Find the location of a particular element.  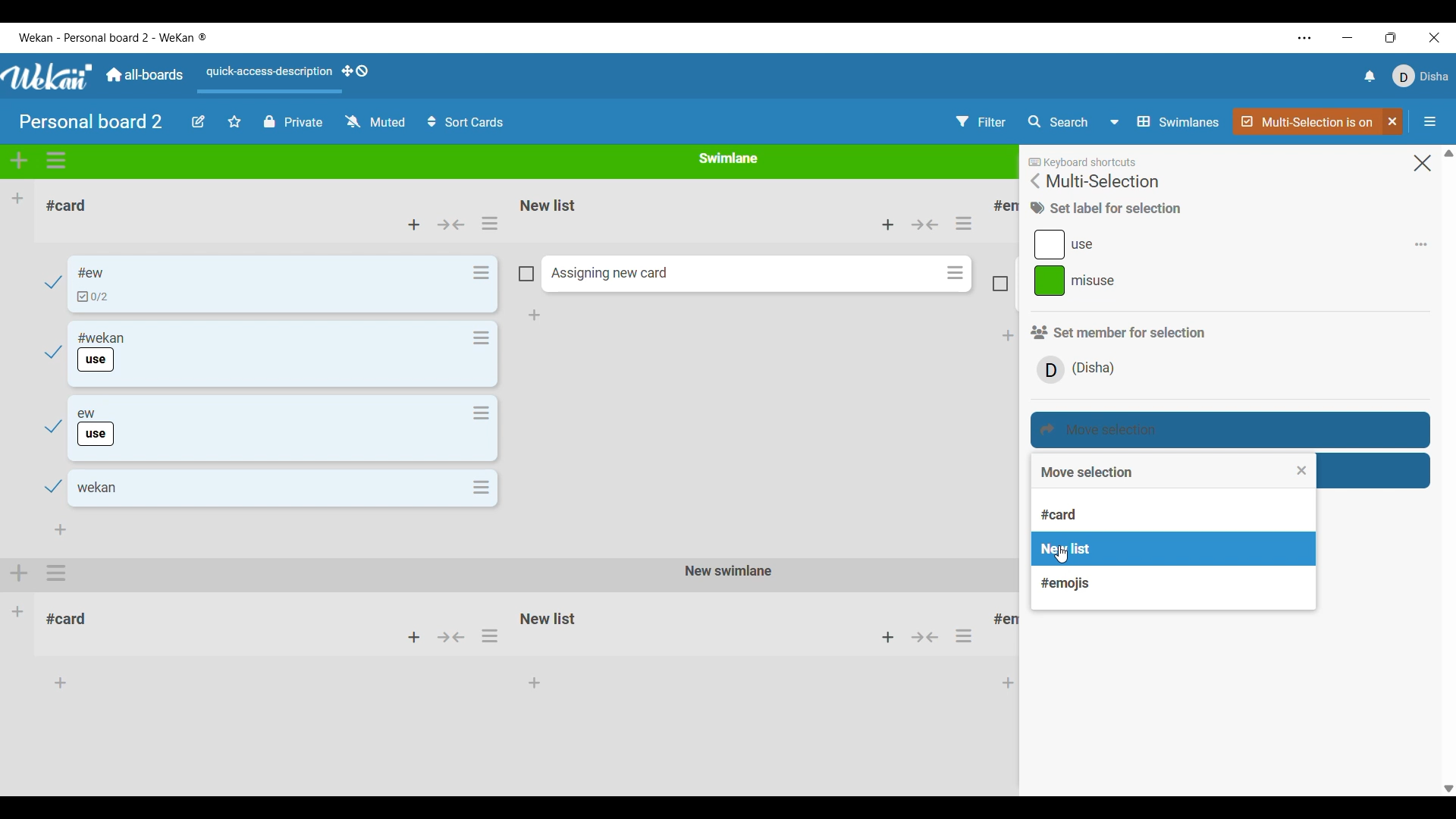

Filter is located at coordinates (987, 121).